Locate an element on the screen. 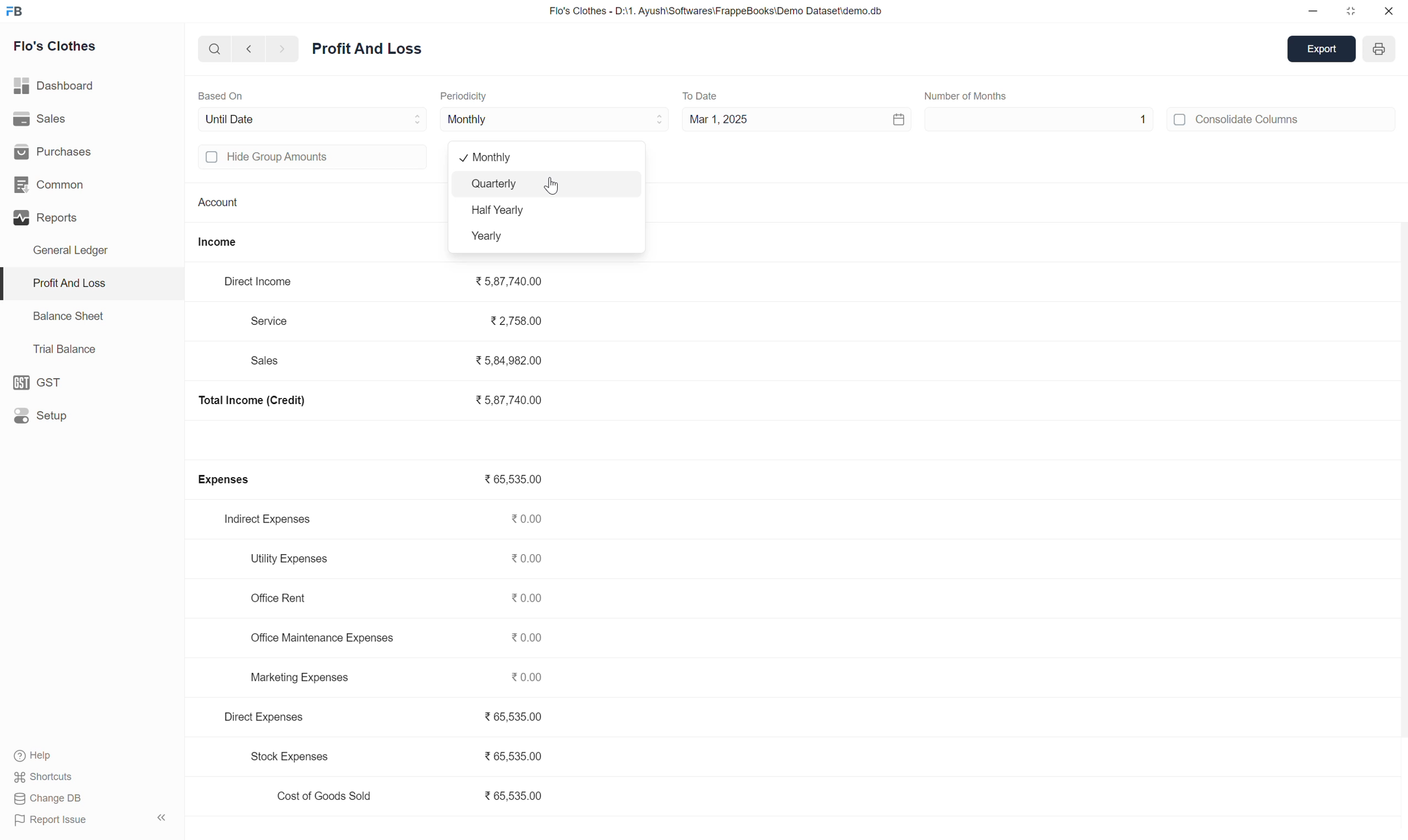 The image size is (1408, 840). Income is located at coordinates (227, 239).